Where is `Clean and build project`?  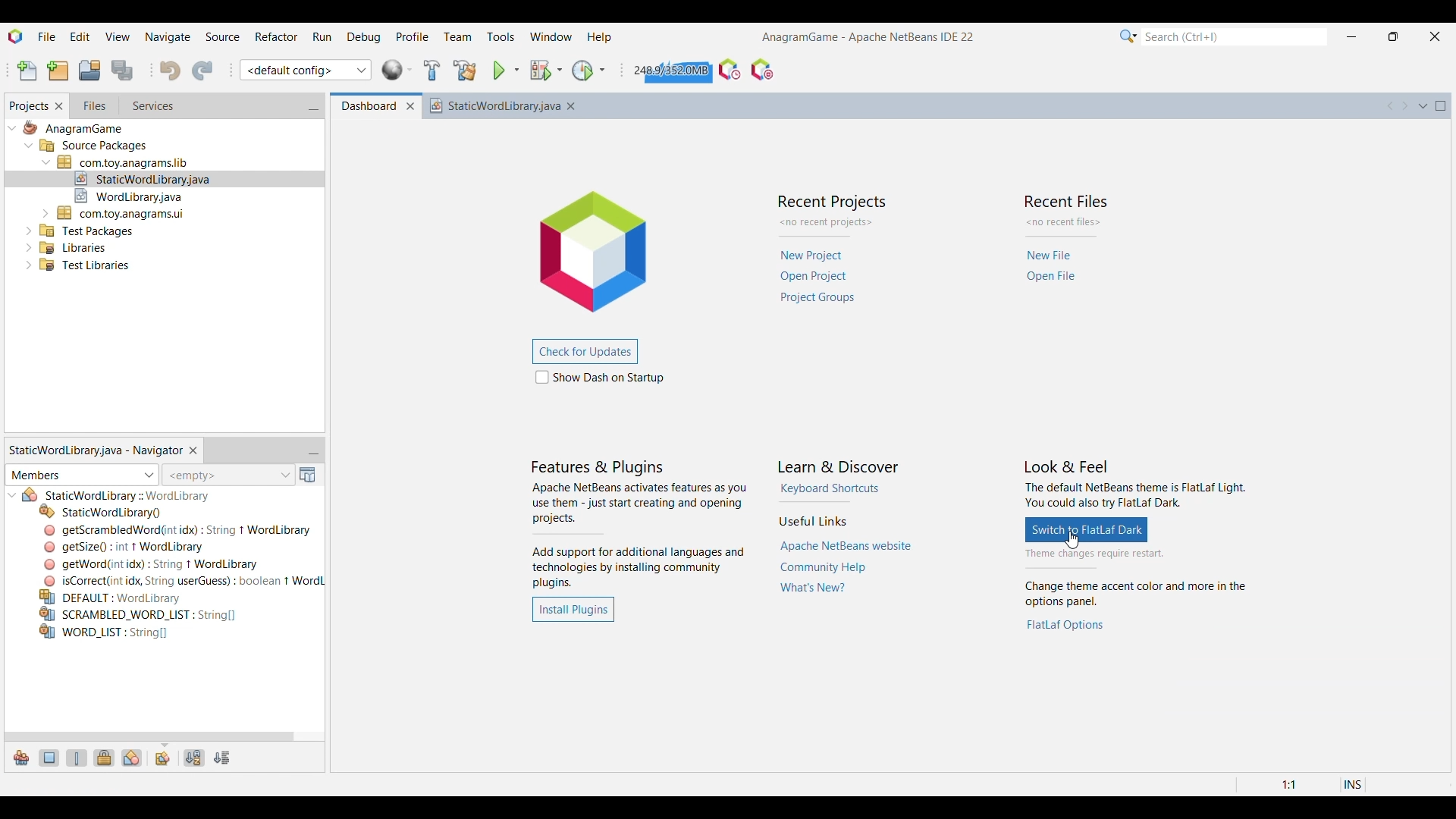 Clean and build project is located at coordinates (466, 71).